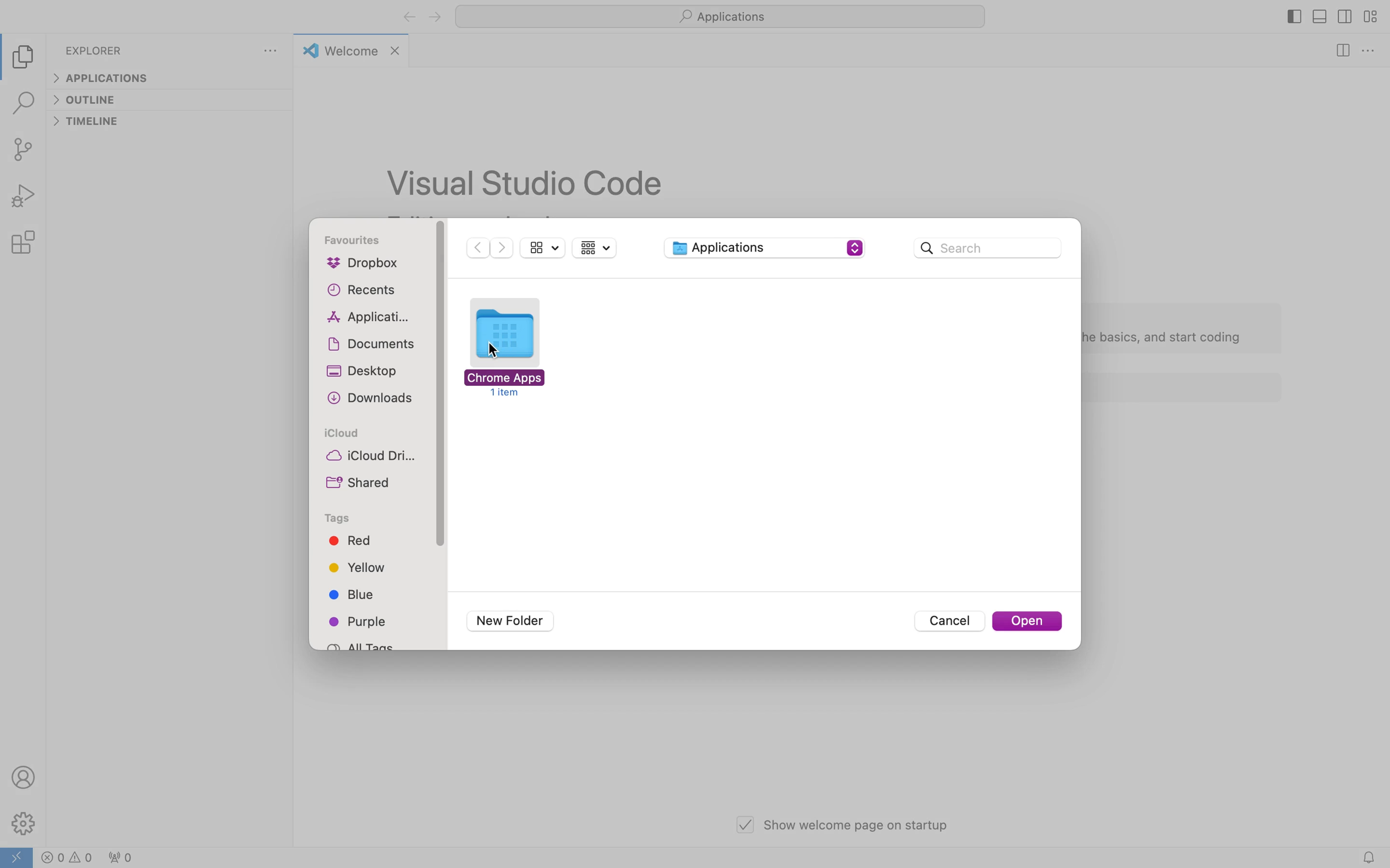  I want to click on warnings , cautions, so click(101, 856).